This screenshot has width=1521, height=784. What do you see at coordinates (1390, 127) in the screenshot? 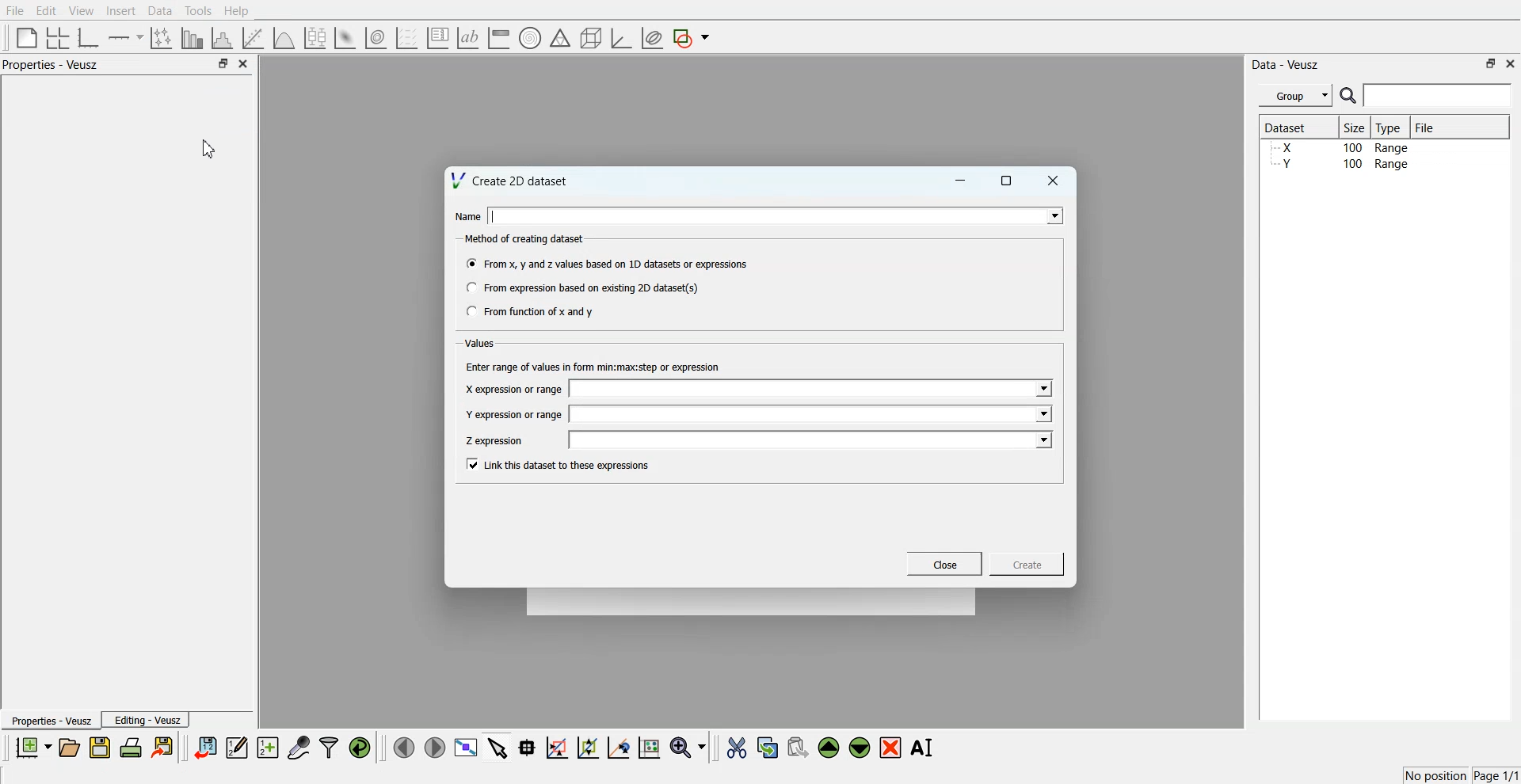
I see `Type` at bounding box center [1390, 127].